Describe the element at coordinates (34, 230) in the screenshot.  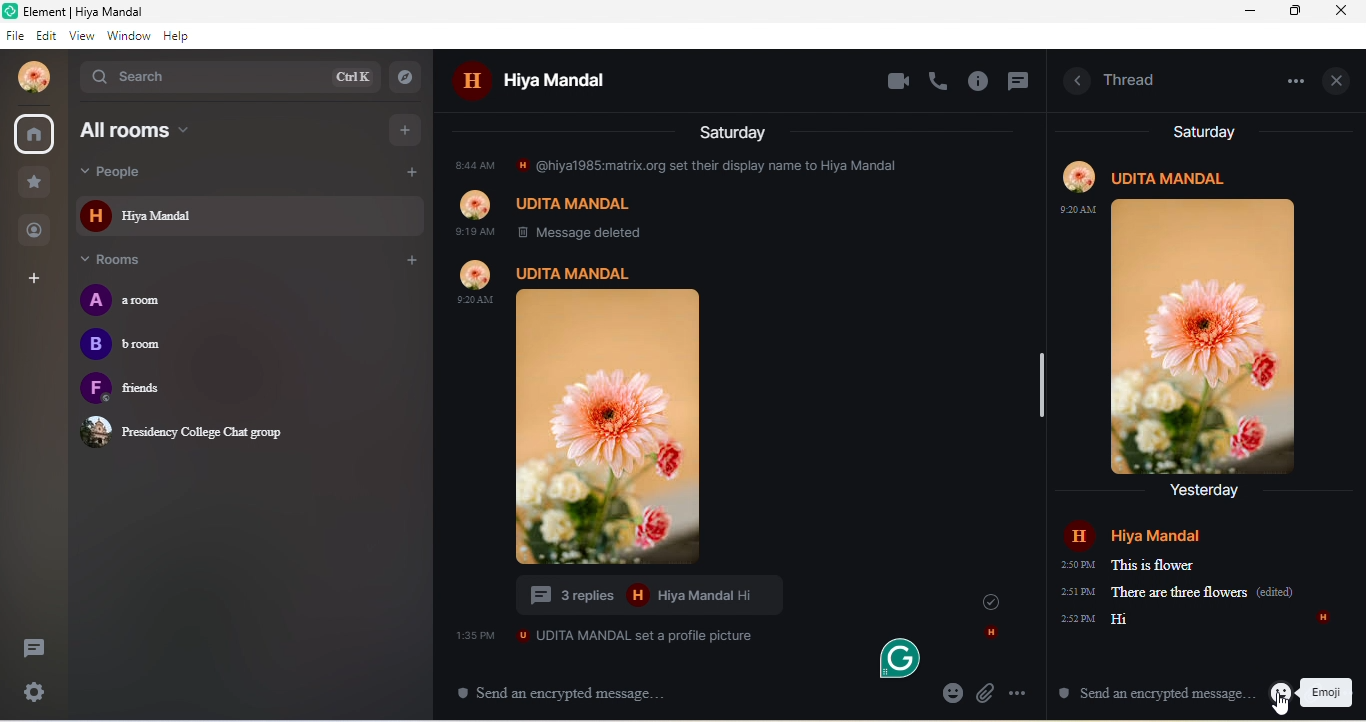
I see `People` at that location.